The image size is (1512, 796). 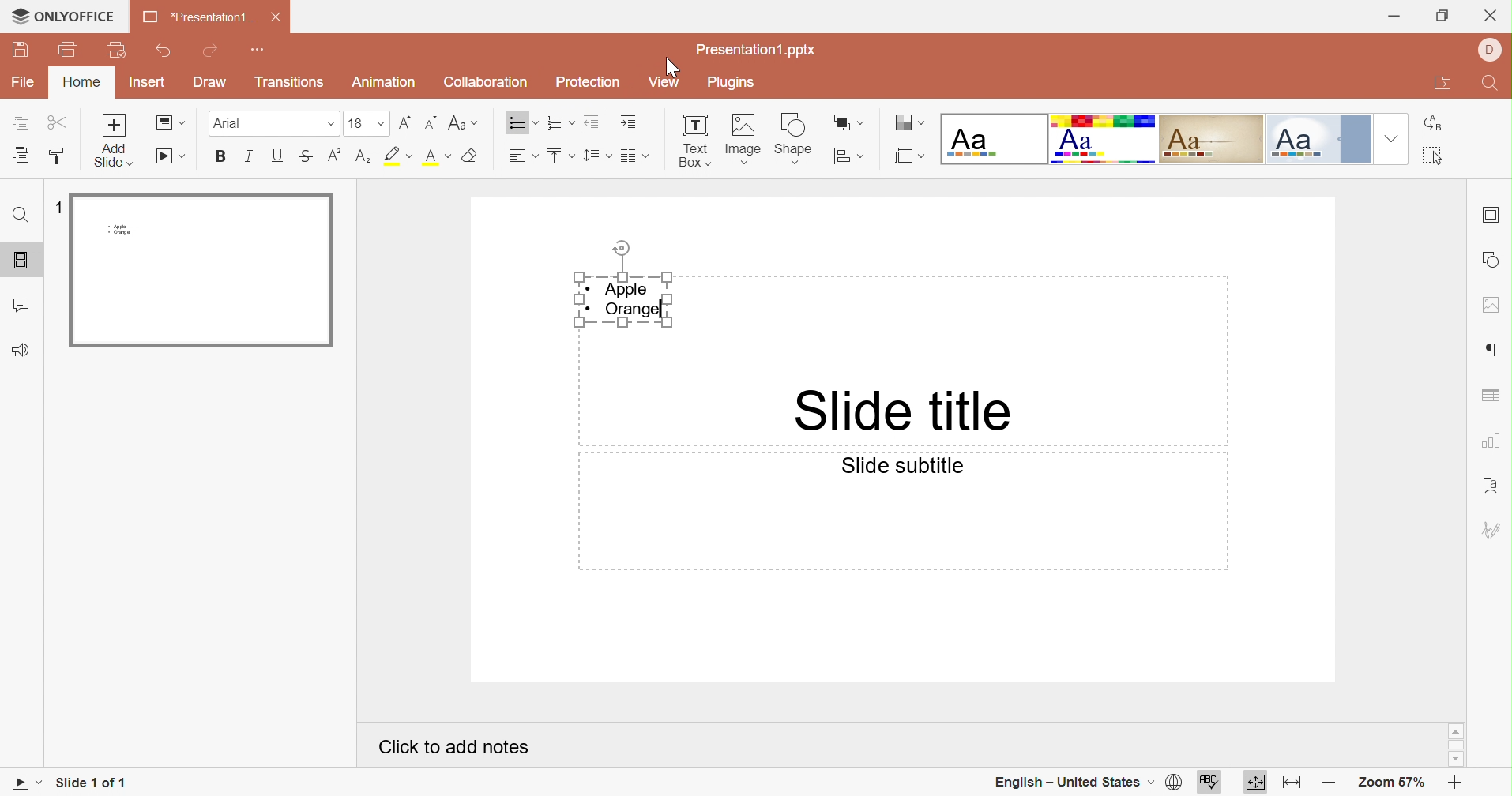 I want to click on cursor, so click(x=17, y=15).